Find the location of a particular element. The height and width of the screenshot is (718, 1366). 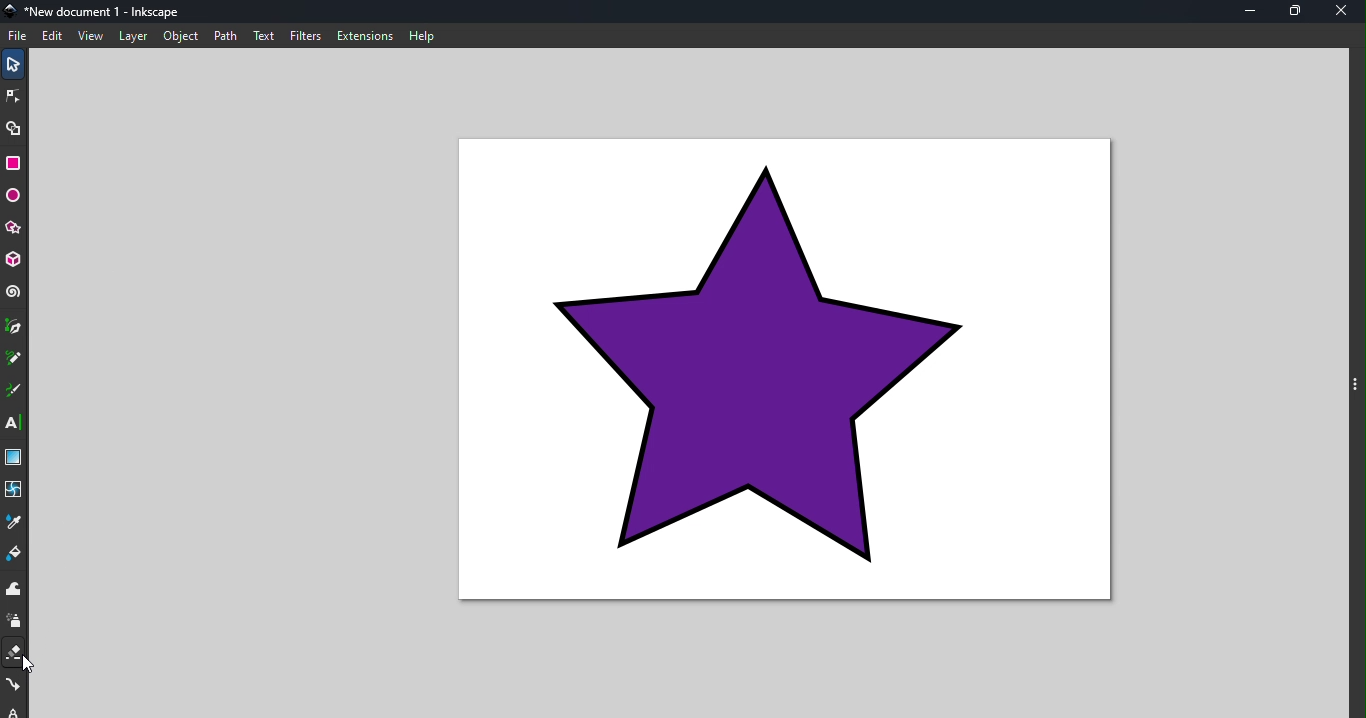

canvas is located at coordinates (785, 369).